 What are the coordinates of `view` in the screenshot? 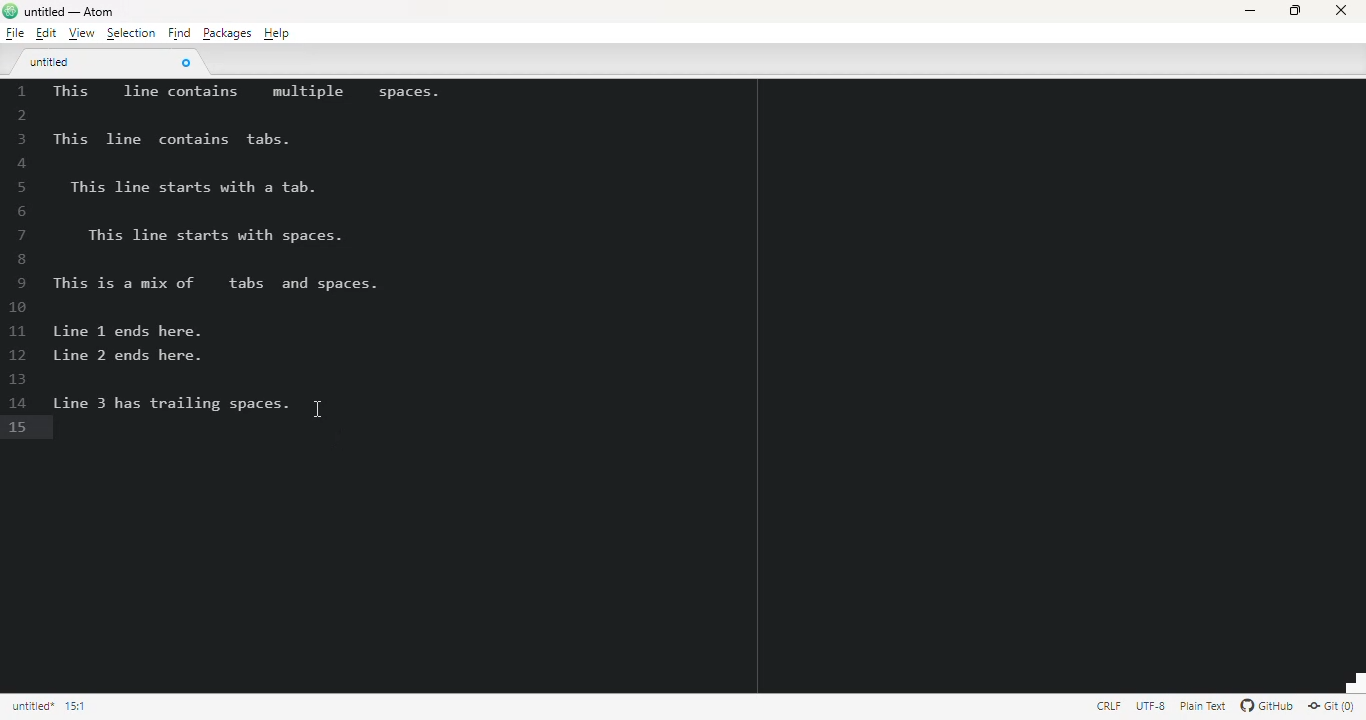 It's located at (81, 34).